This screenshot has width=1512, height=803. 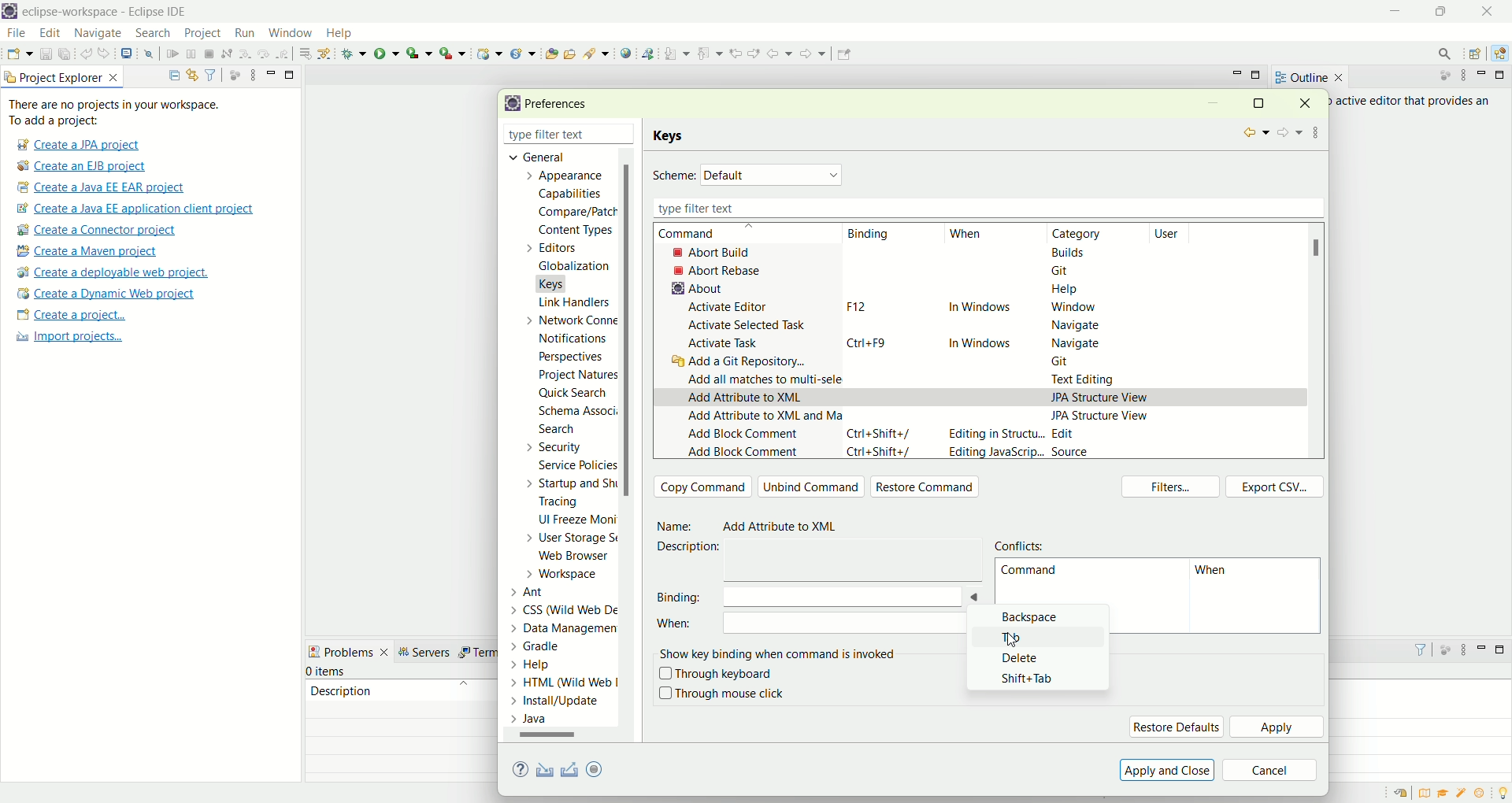 I want to click on maximize, so click(x=1258, y=76).